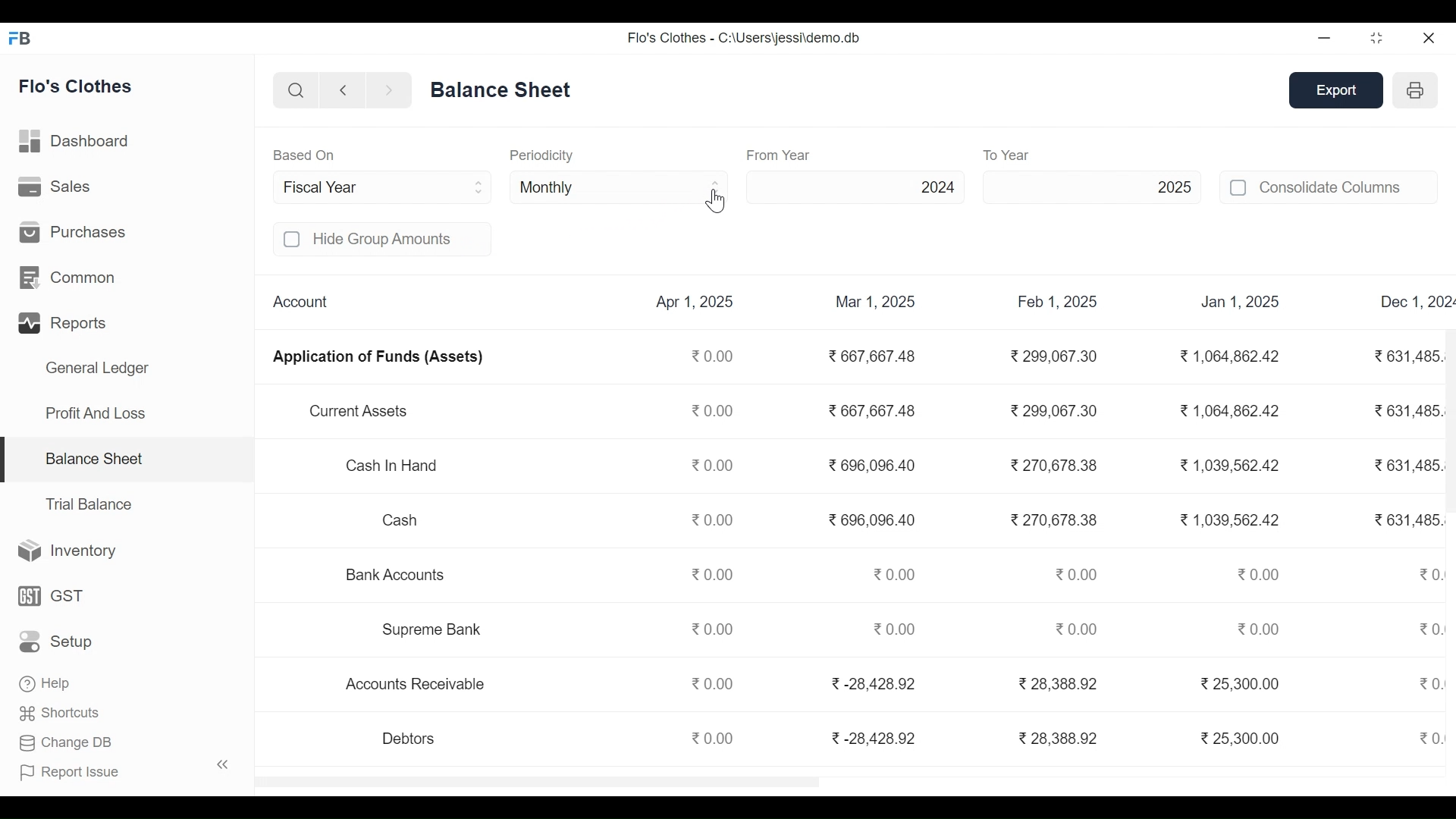  What do you see at coordinates (71, 278) in the screenshot?
I see `common` at bounding box center [71, 278].